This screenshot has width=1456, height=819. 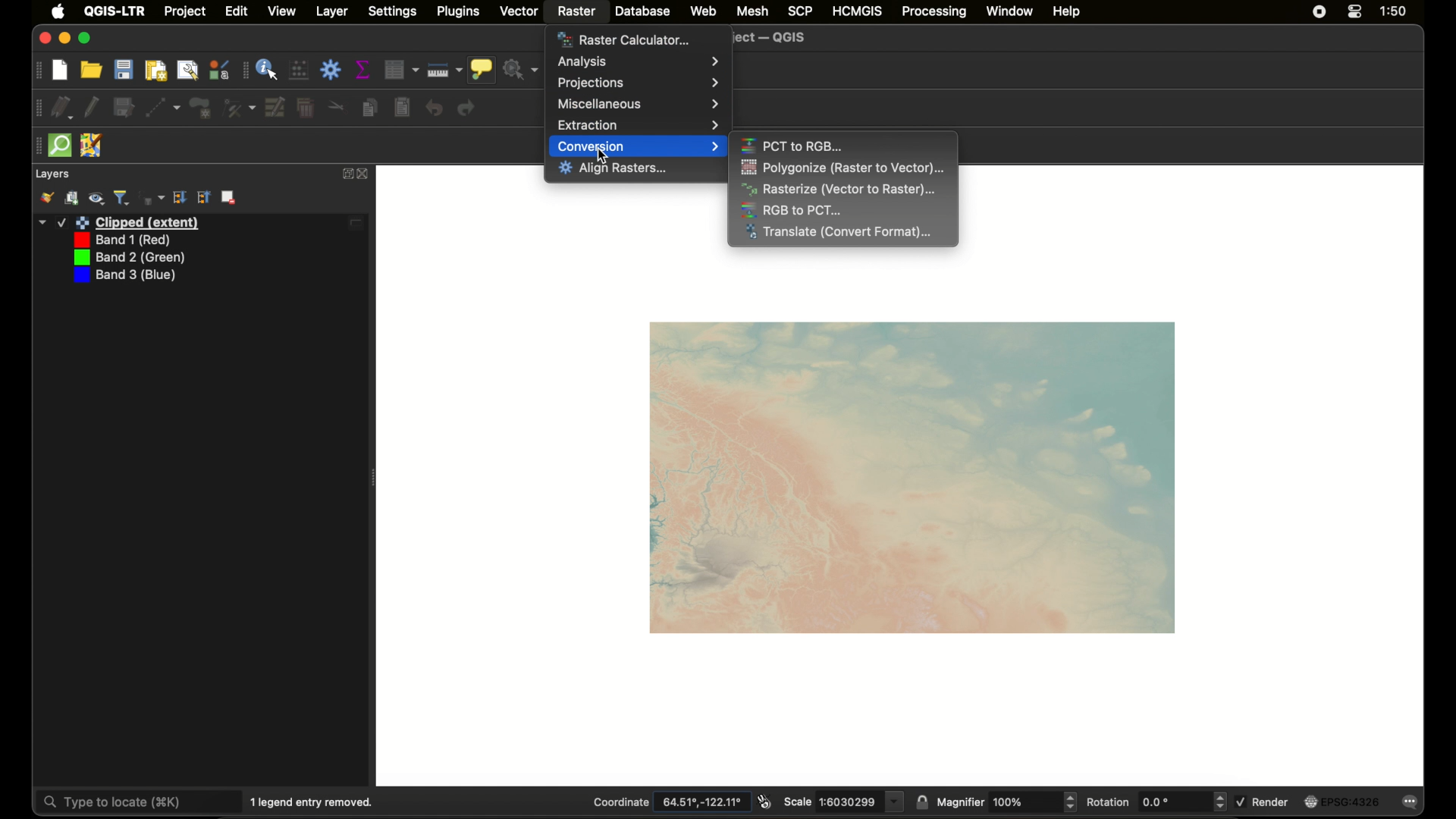 What do you see at coordinates (401, 70) in the screenshot?
I see `open attribute table` at bounding box center [401, 70].